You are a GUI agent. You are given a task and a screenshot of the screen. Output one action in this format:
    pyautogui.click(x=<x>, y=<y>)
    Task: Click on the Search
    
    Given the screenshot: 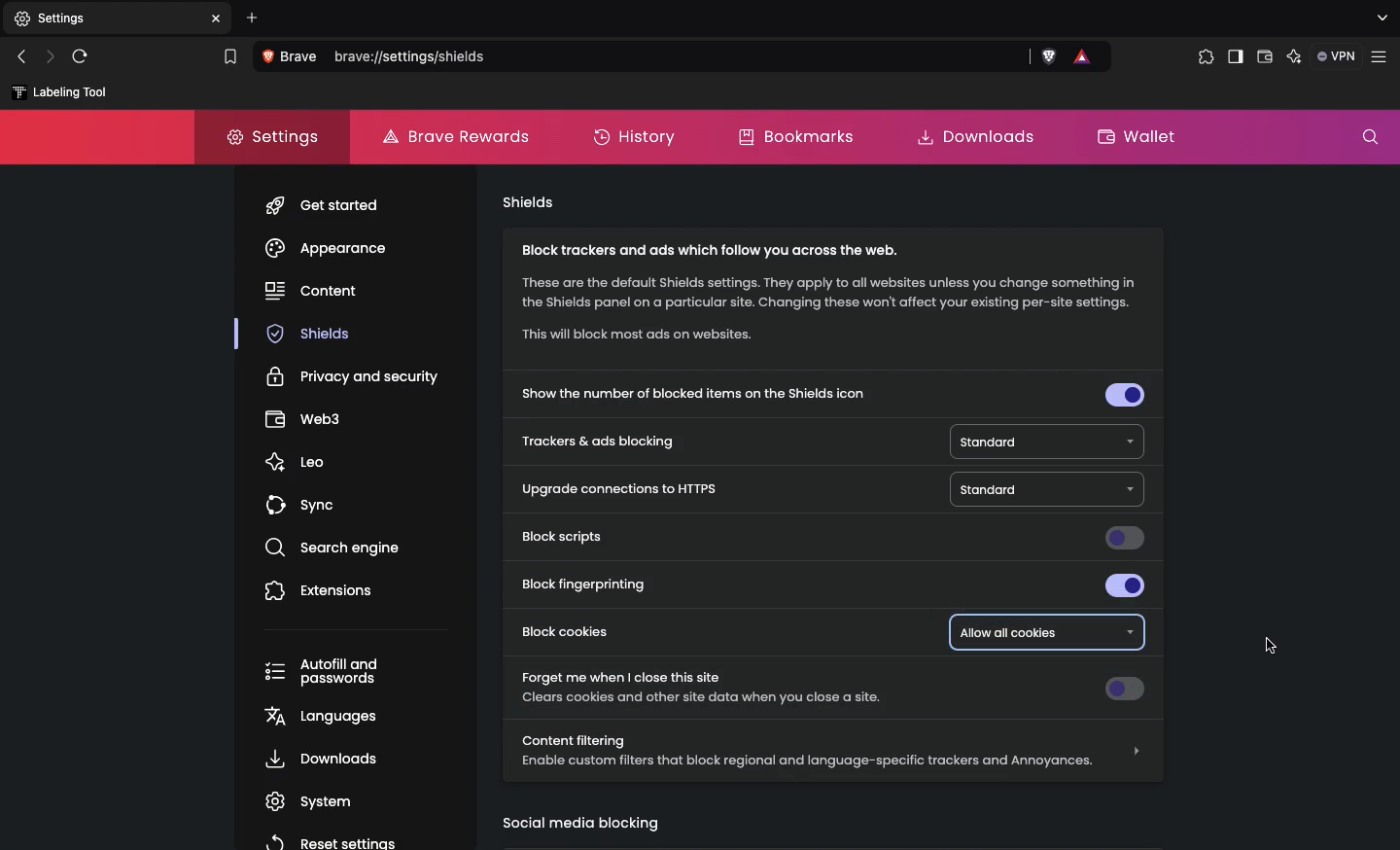 What is the action you would take?
    pyautogui.click(x=639, y=56)
    